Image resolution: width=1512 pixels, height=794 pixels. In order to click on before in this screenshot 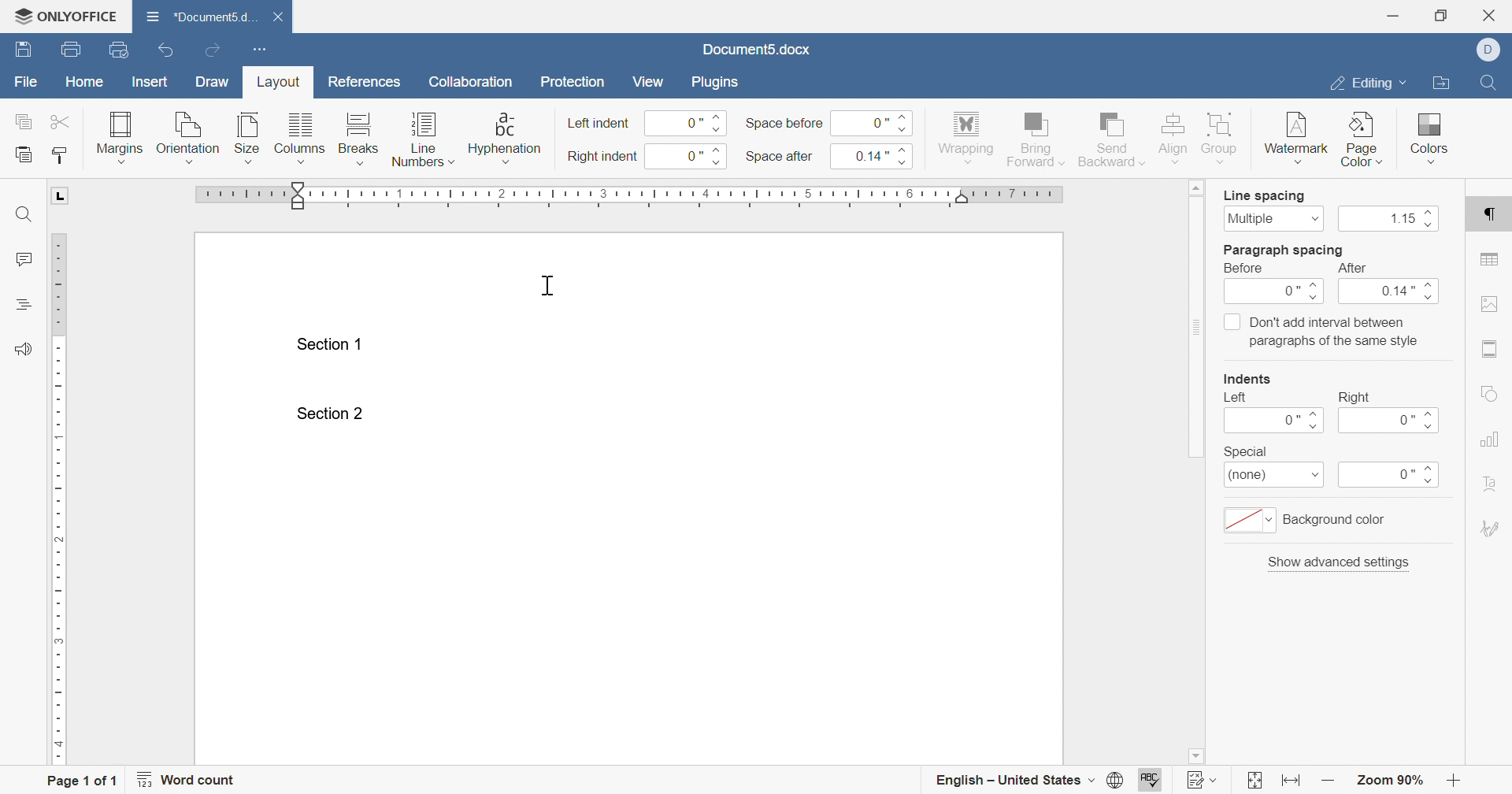, I will do `click(1247, 269)`.